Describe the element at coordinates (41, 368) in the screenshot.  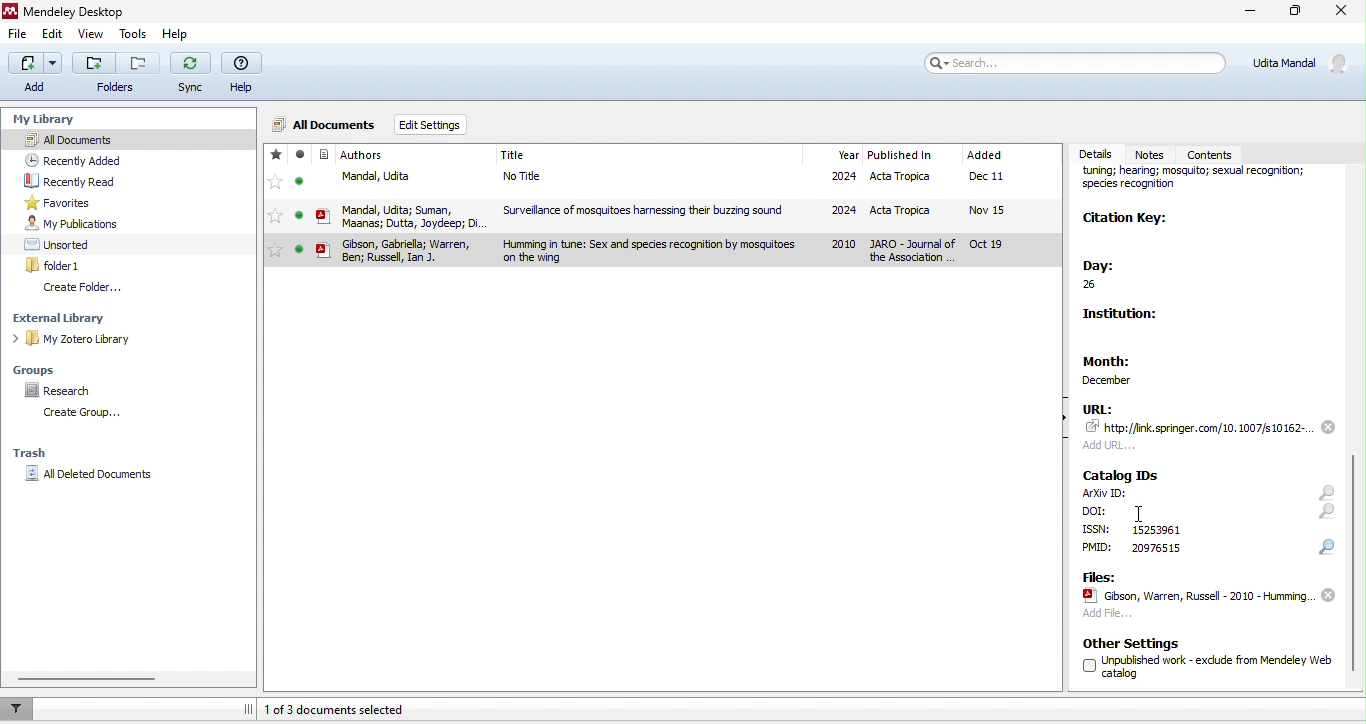
I see `groups` at that location.